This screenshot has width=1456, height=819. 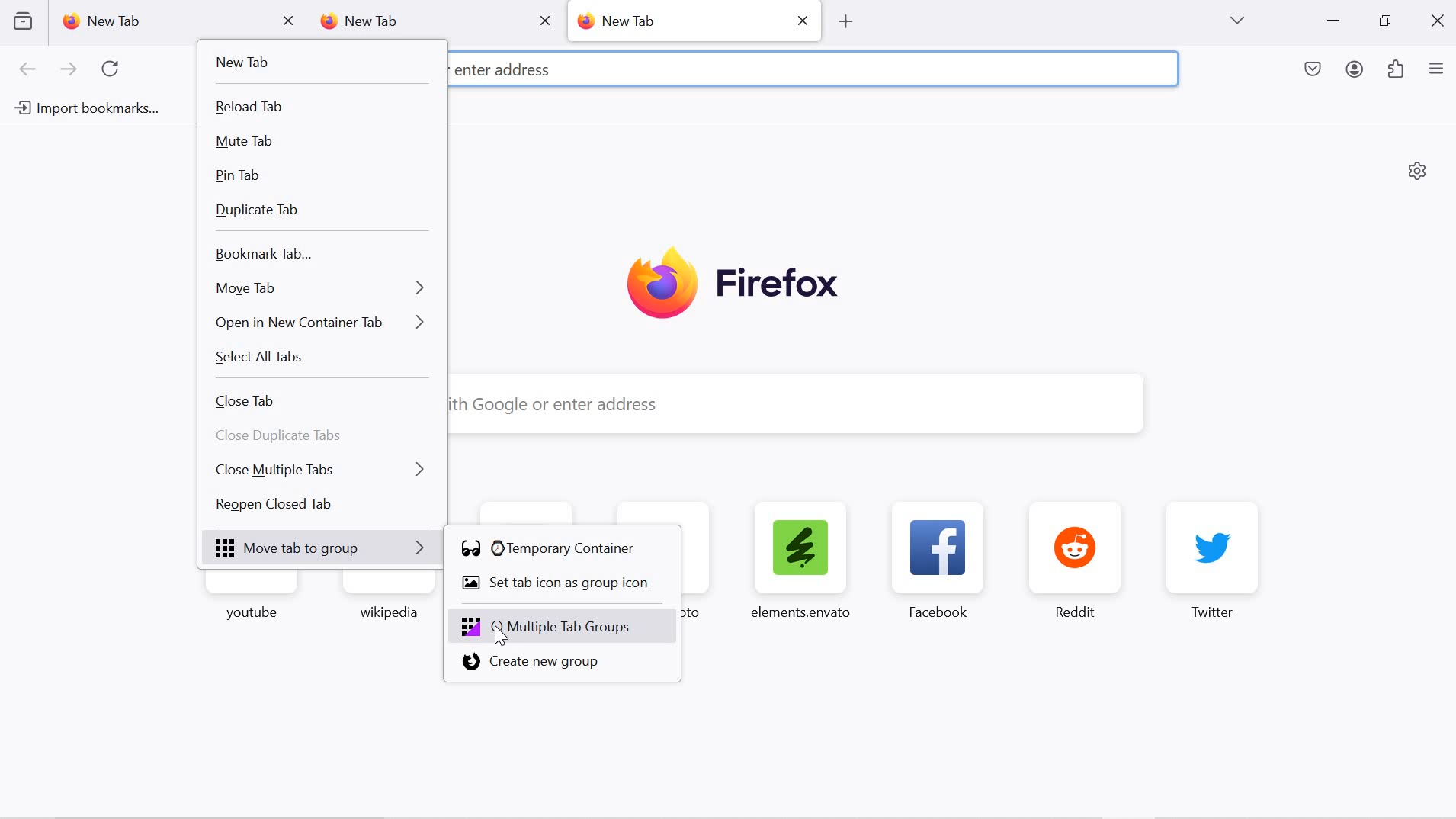 What do you see at coordinates (321, 402) in the screenshot?
I see `close tab` at bounding box center [321, 402].